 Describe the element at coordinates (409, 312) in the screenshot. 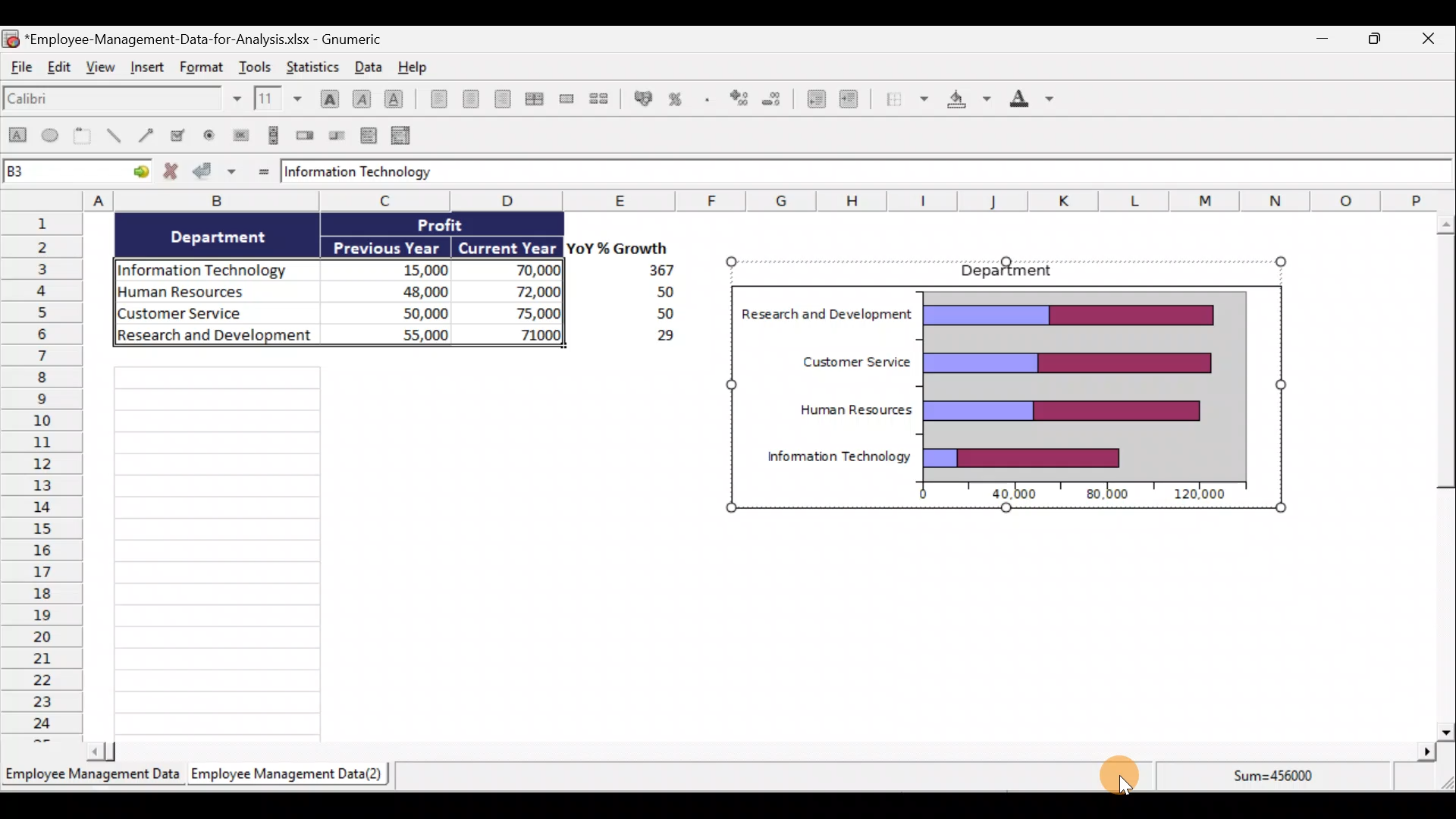

I see `50,000` at that location.